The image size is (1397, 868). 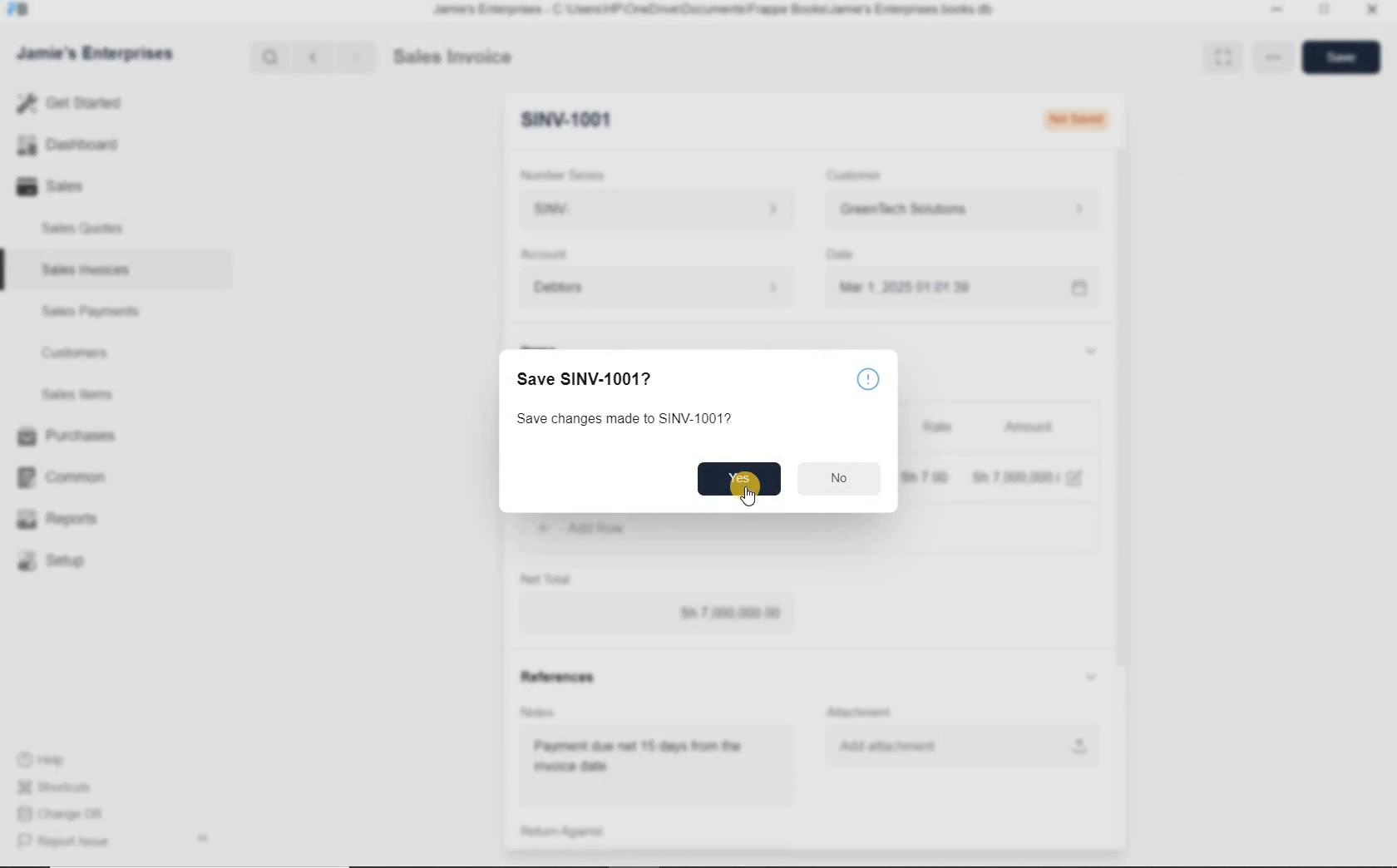 I want to click on Save SINV-1001?, so click(x=586, y=380).